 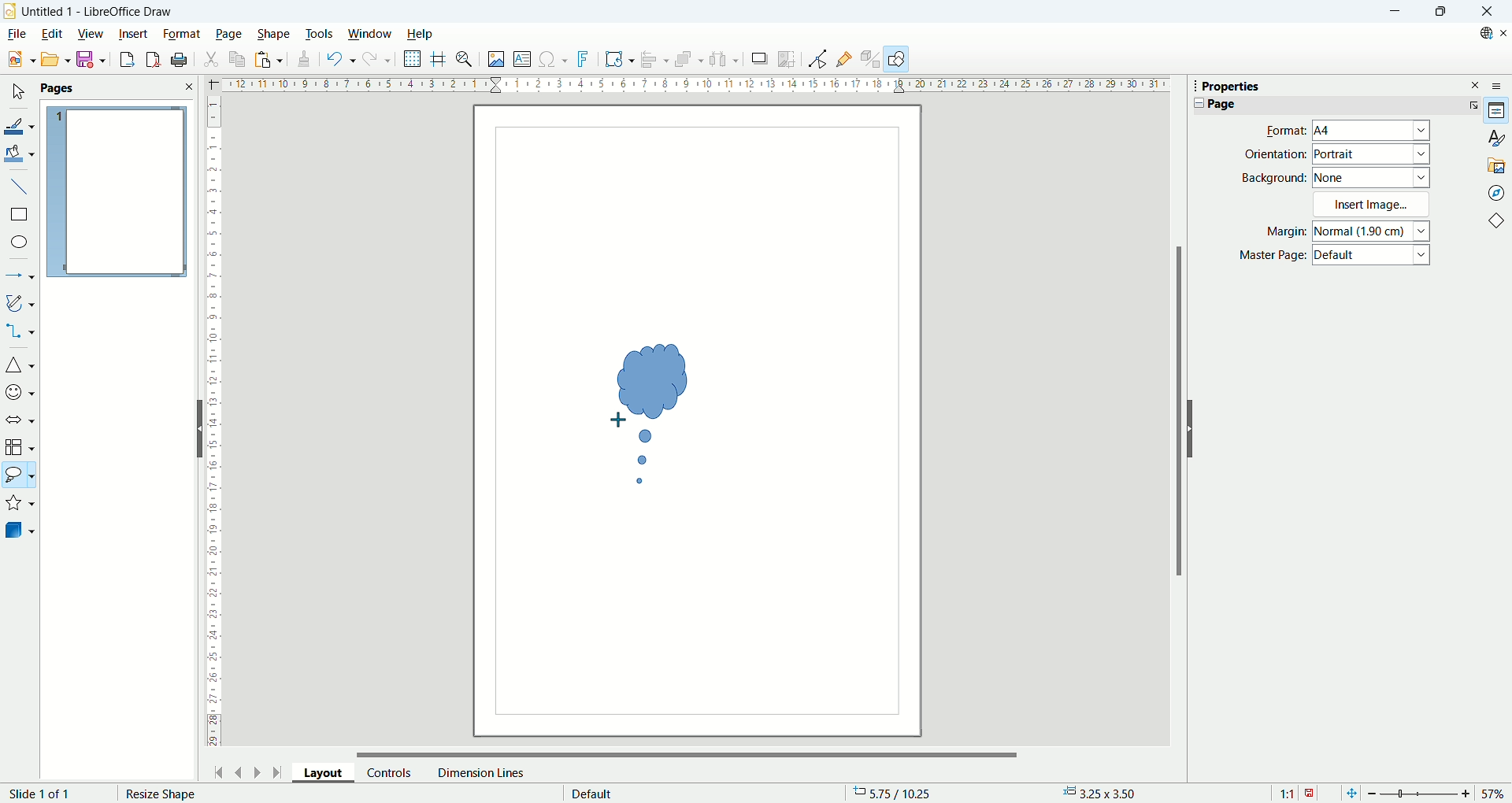 I want to click on rectangle, so click(x=18, y=215).